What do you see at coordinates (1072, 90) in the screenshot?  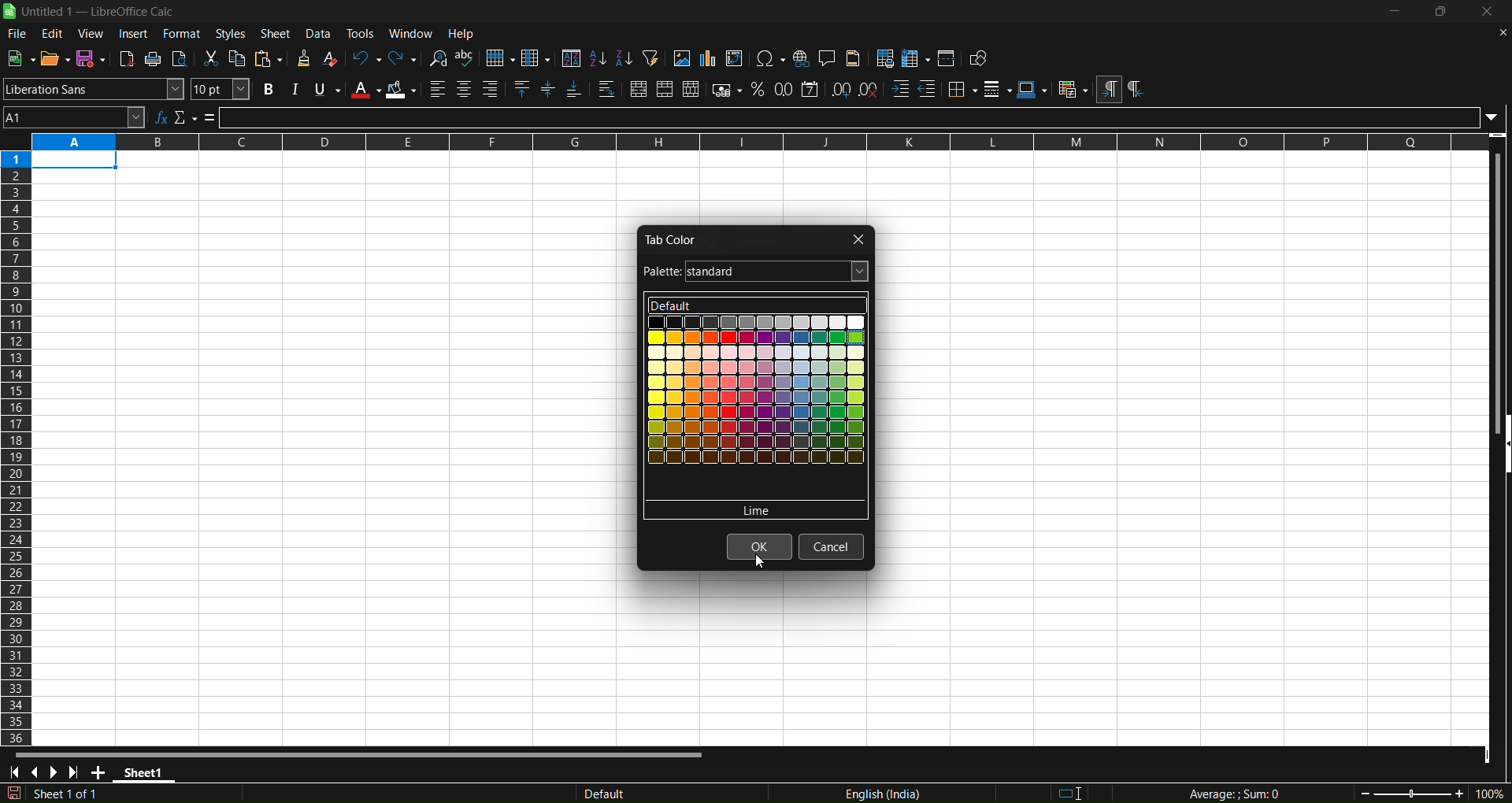 I see `conditional` at bounding box center [1072, 90].